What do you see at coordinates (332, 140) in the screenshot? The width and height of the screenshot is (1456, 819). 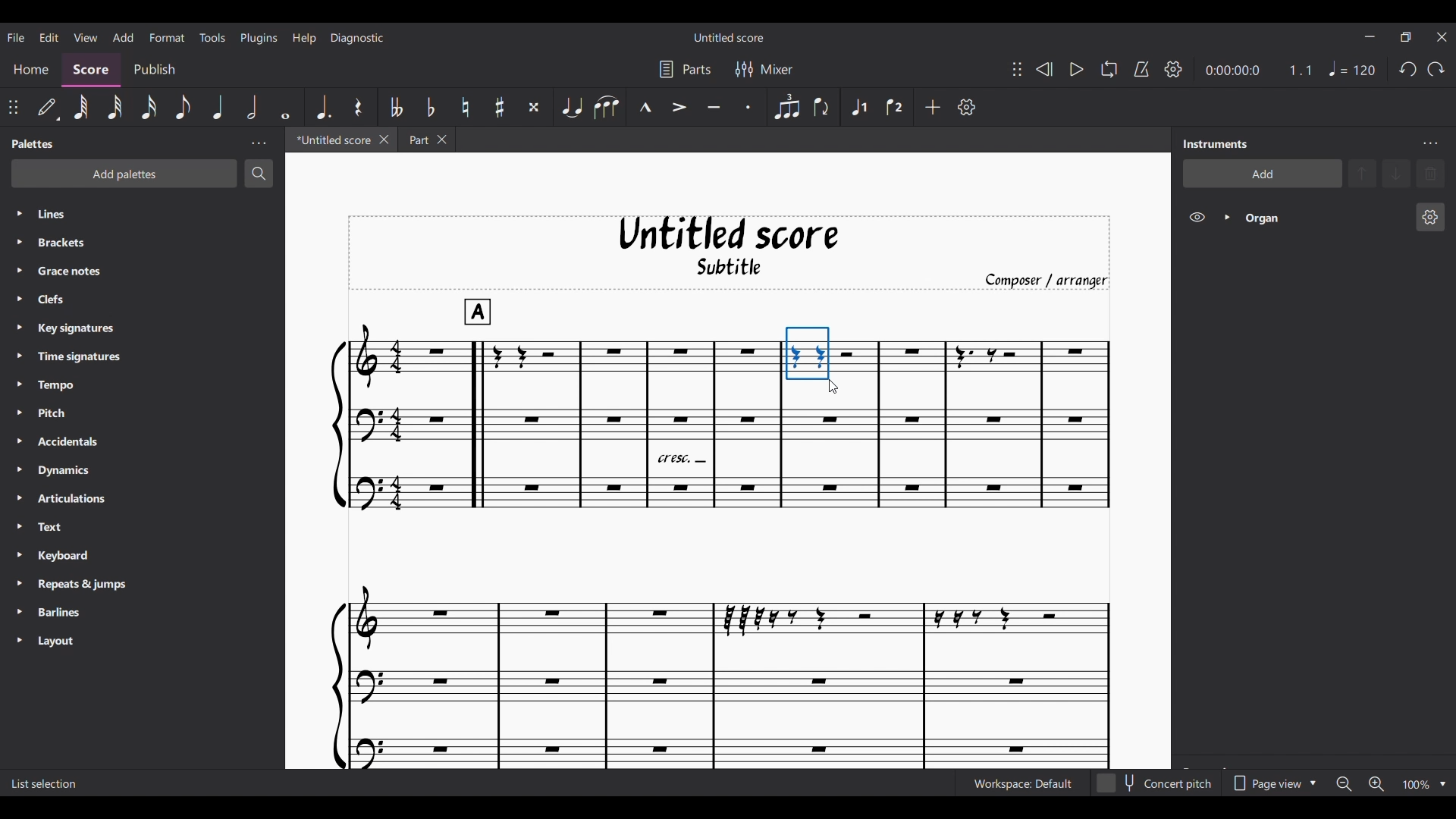 I see `Current tab, highlighted` at bounding box center [332, 140].